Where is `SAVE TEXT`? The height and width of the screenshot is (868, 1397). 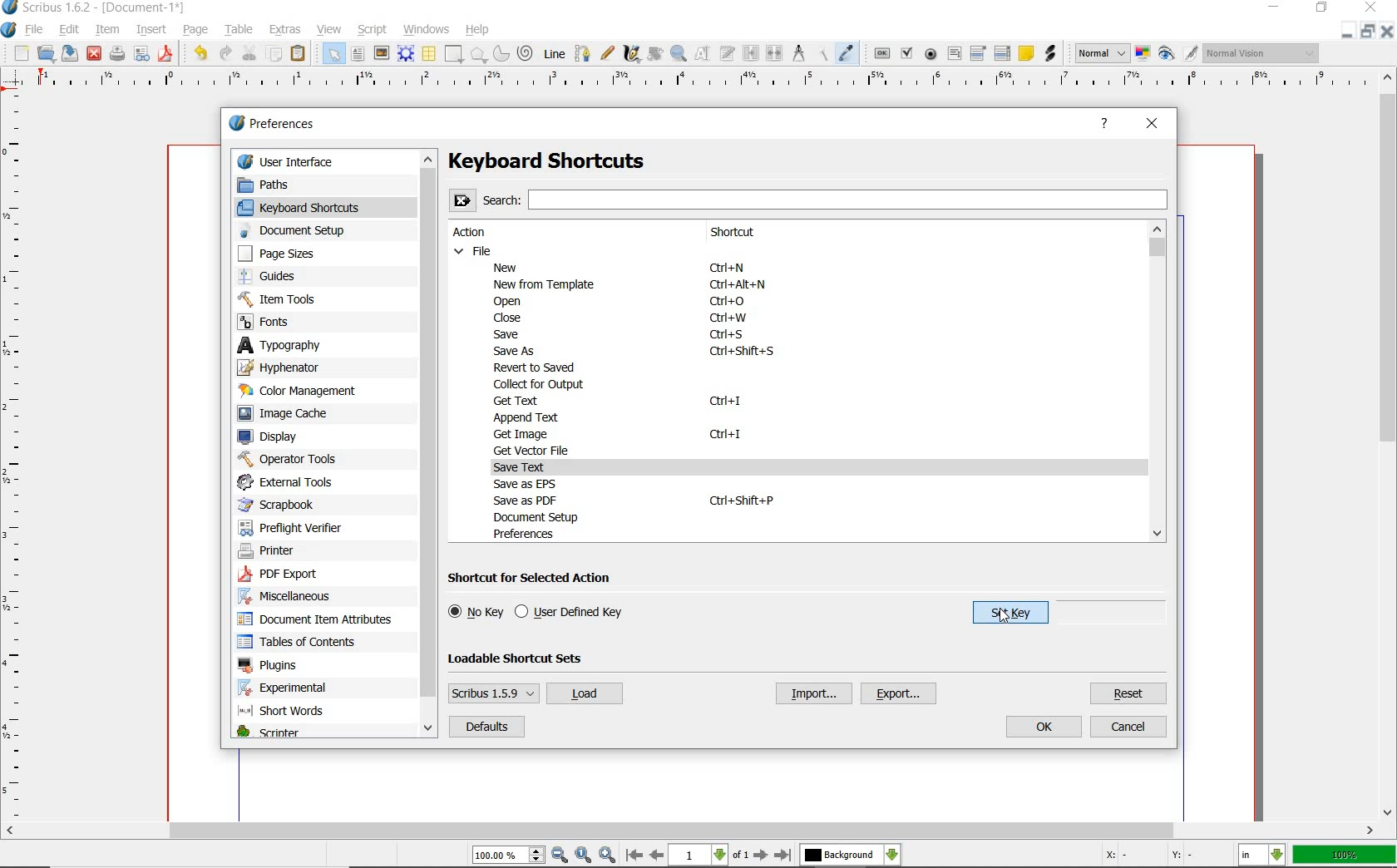 SAVE TEXT is located at coordinates (531, 467).